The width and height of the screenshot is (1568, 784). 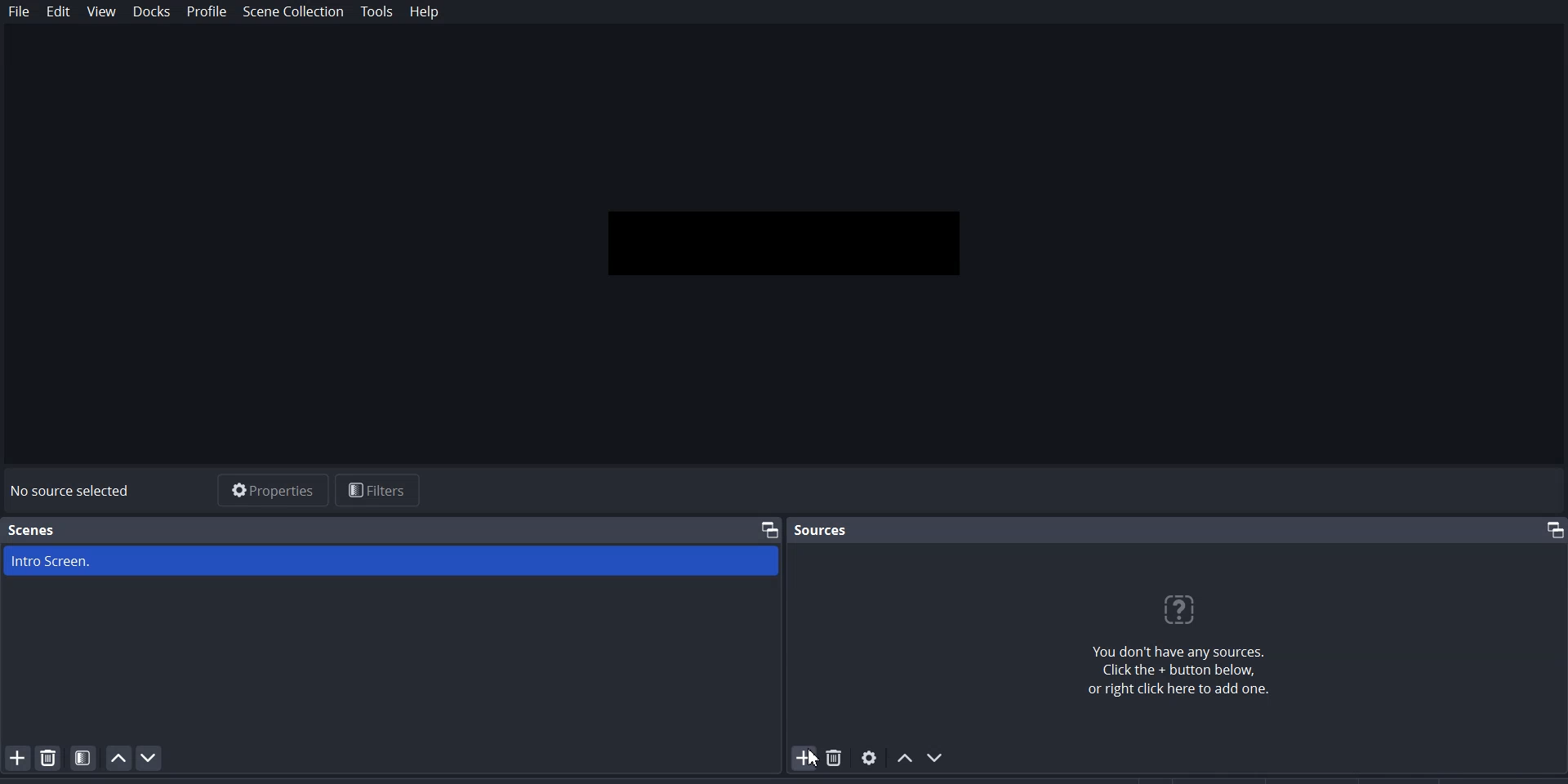 I want to click on Open Scene Filter, so click(x=83, y=757).